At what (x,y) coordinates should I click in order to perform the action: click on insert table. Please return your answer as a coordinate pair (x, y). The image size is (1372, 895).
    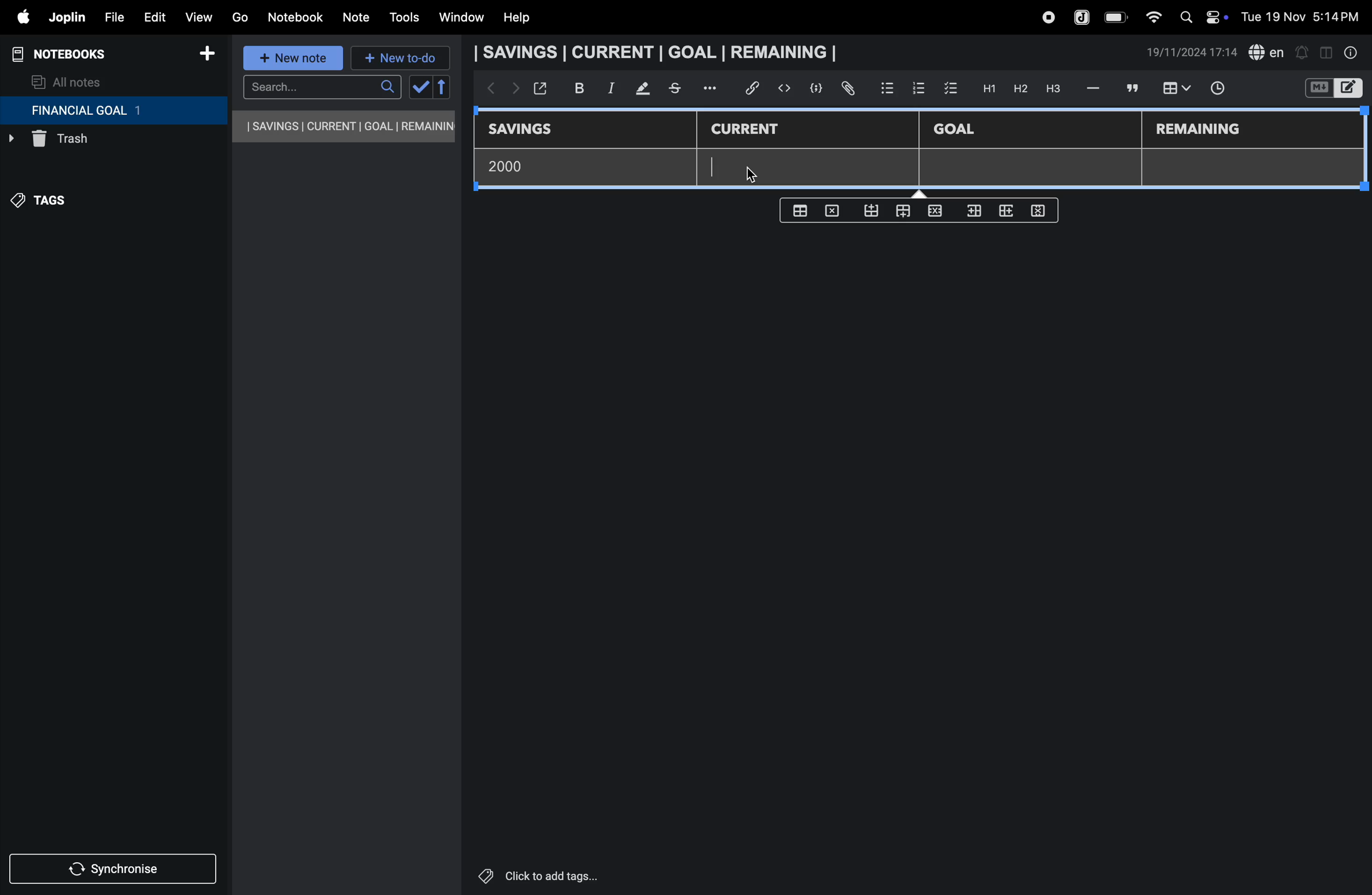
    Looking at the image, I should click on (1174, 89).